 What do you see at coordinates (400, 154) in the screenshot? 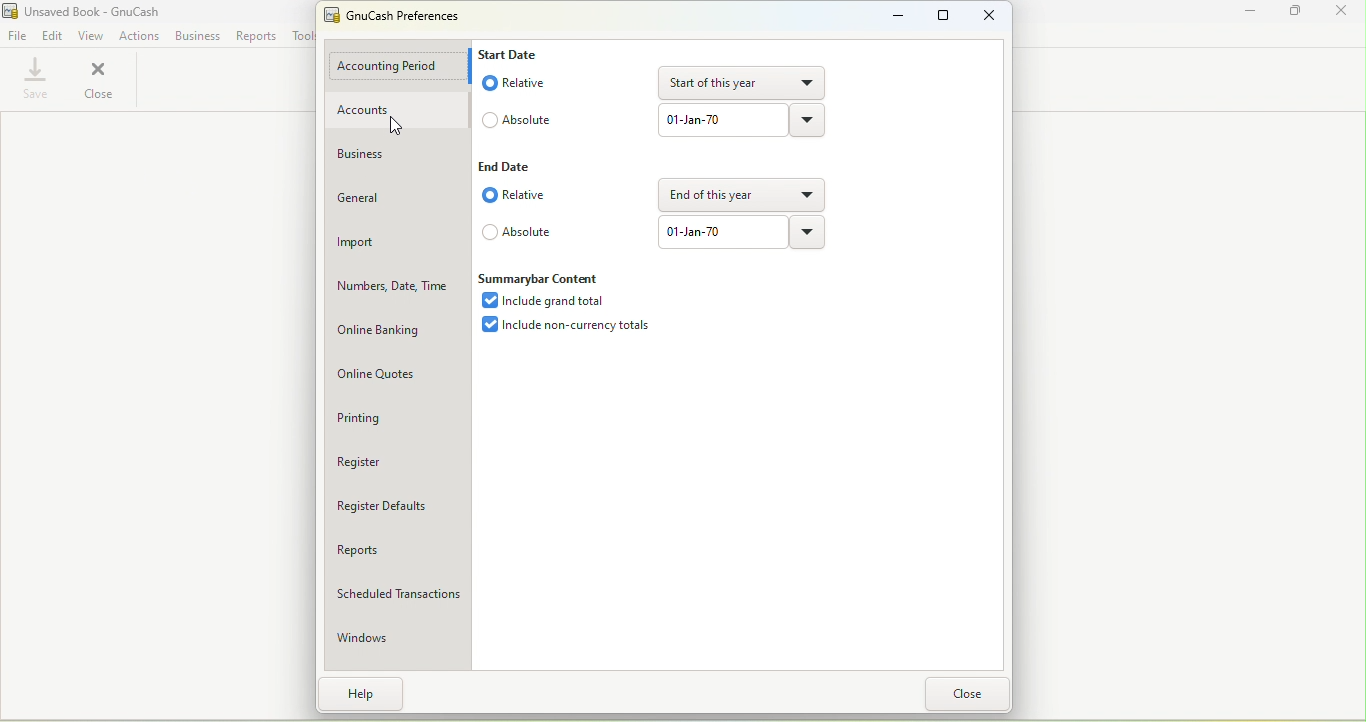
I see `Business` at bounding box center [400, 154].